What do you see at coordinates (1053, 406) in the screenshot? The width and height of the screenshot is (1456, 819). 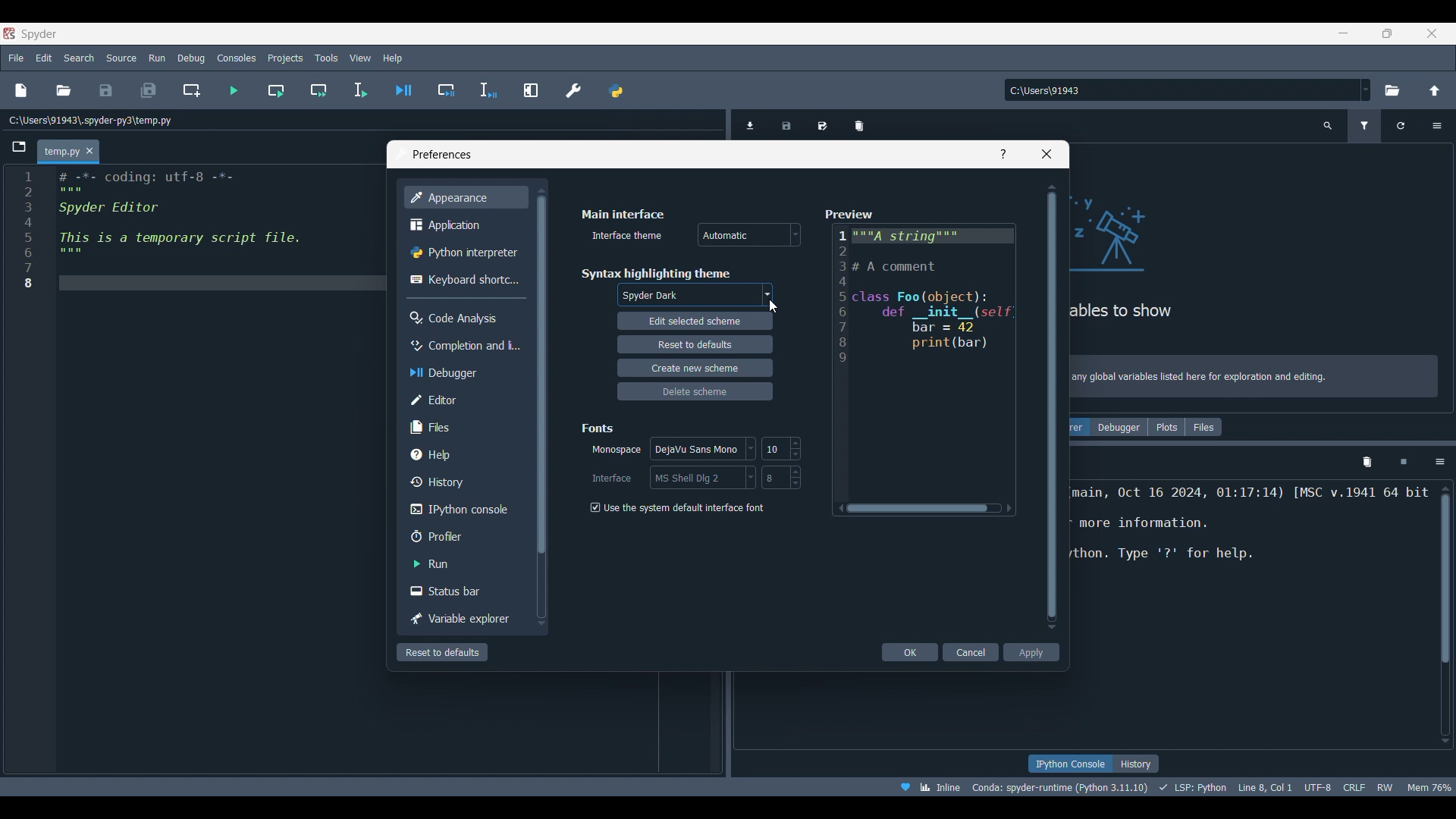 I see `Vertical slide bar` at bounding box center [1053, 406].